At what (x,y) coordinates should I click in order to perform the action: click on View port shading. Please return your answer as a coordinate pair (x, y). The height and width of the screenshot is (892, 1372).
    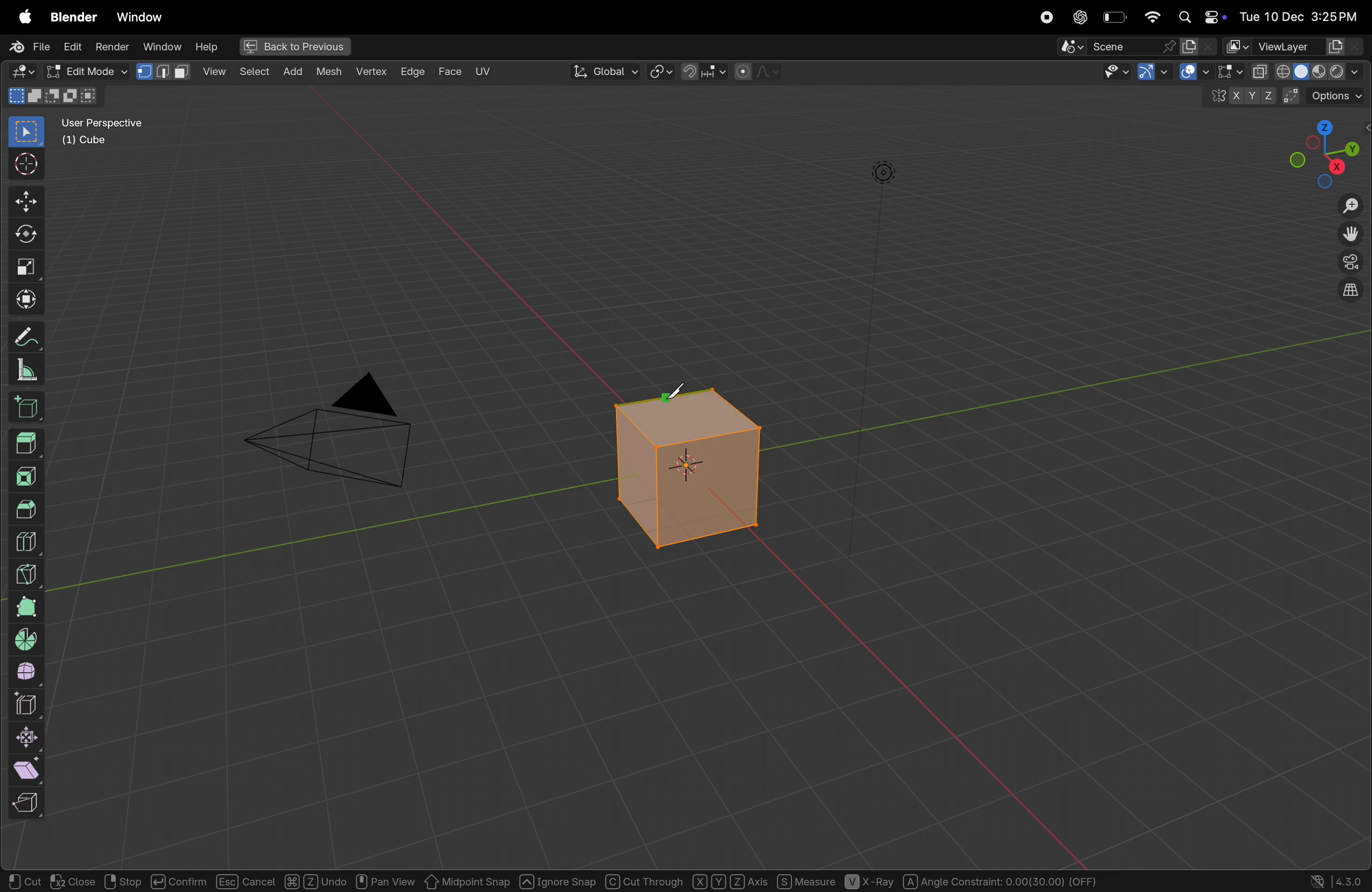
    Looking at the image, I should click on (1307, 71).